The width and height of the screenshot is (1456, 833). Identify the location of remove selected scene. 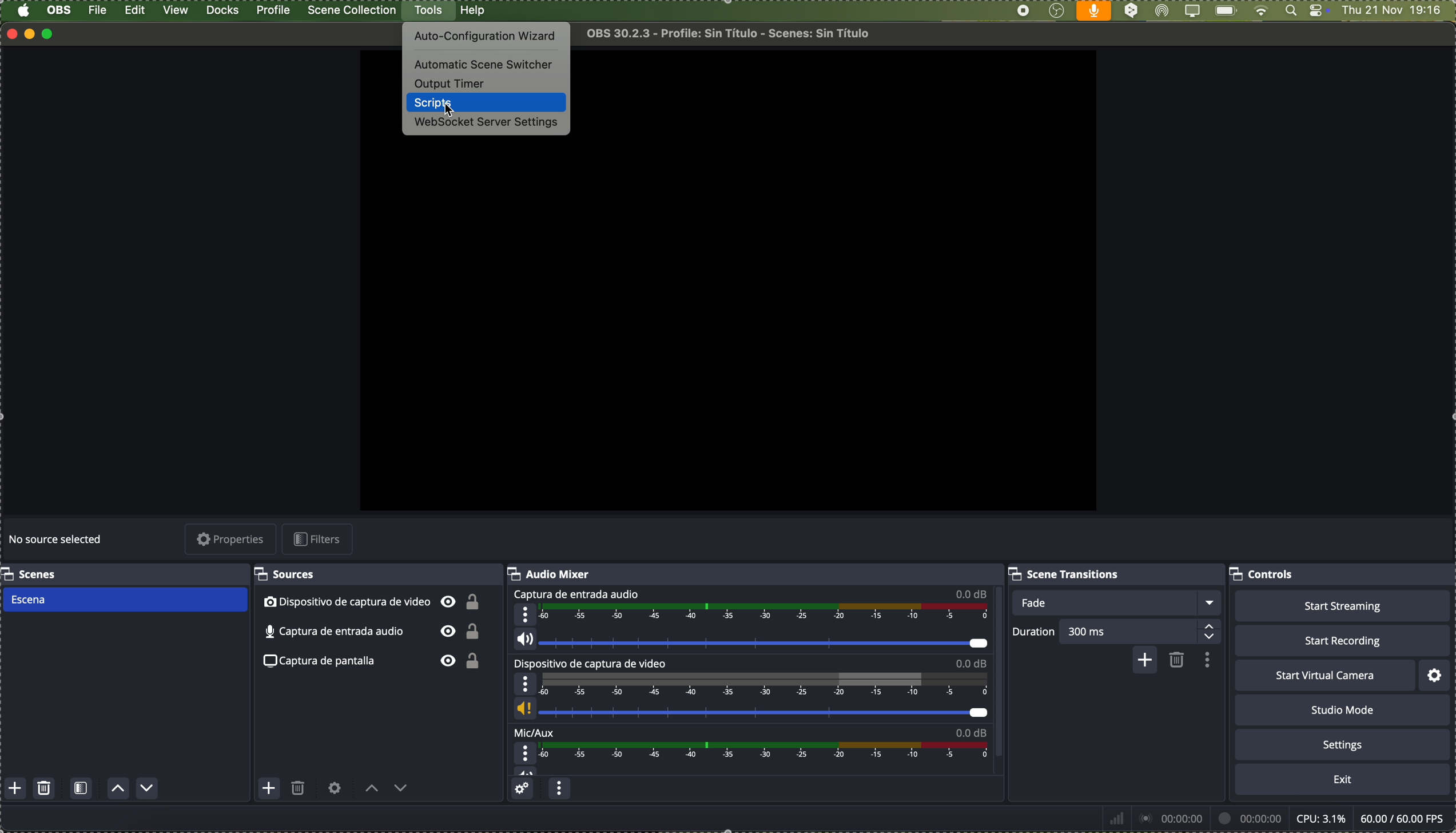
(45, 789).